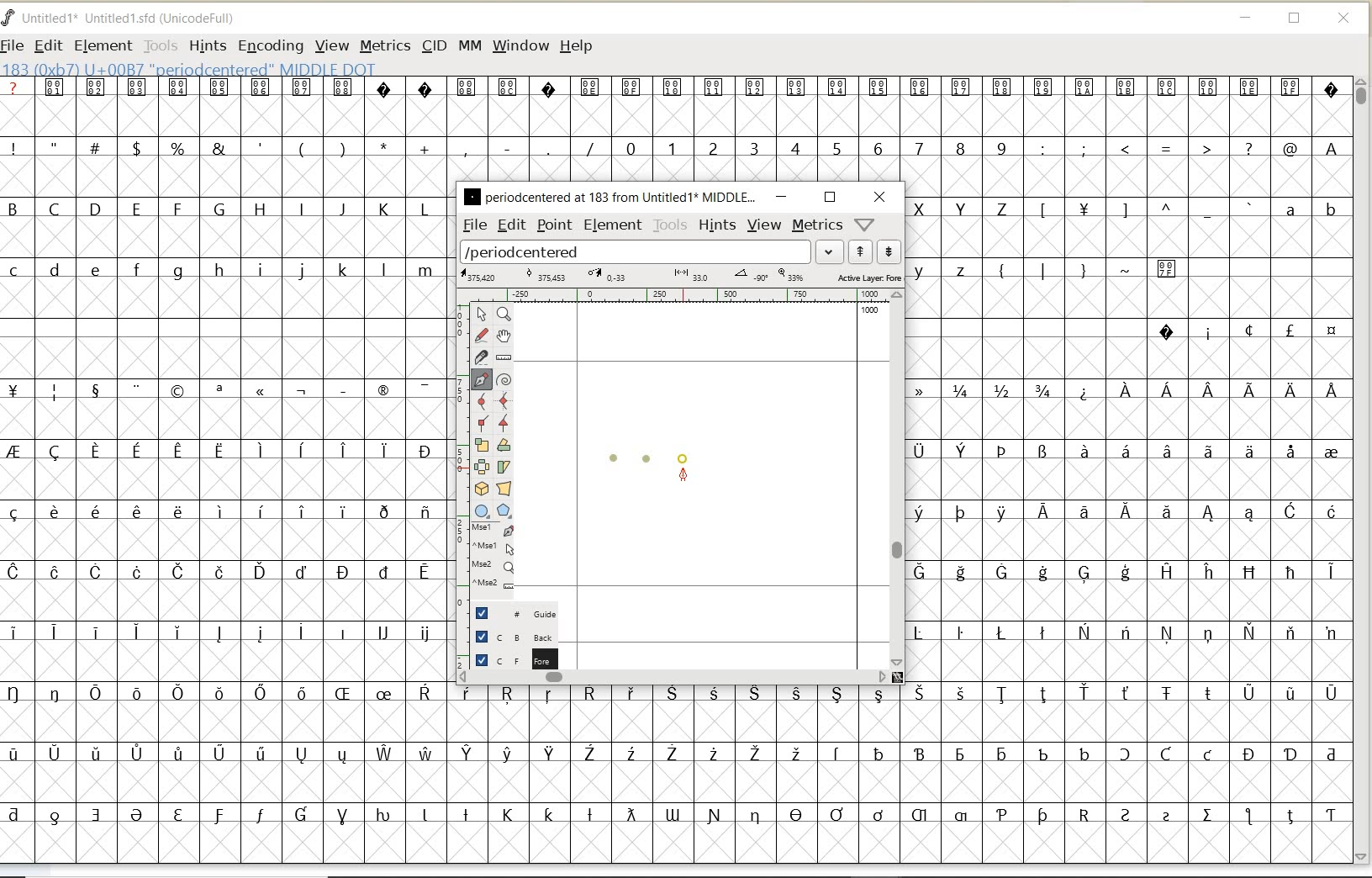 The width and height of the screenshot is (1372, 878). I want to click on EDIT, so click(48, 47).